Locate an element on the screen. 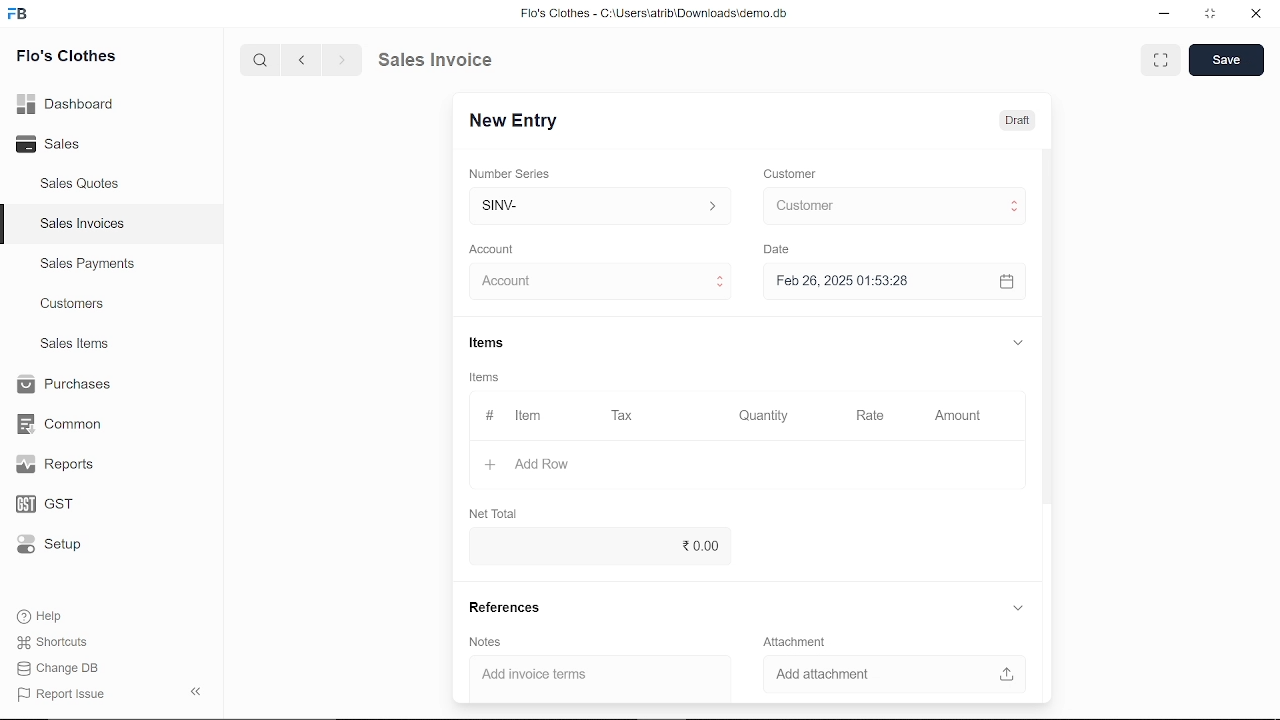 This screenshot has width=1280, height=720. Sales Items is located at coordinates (74, 346).